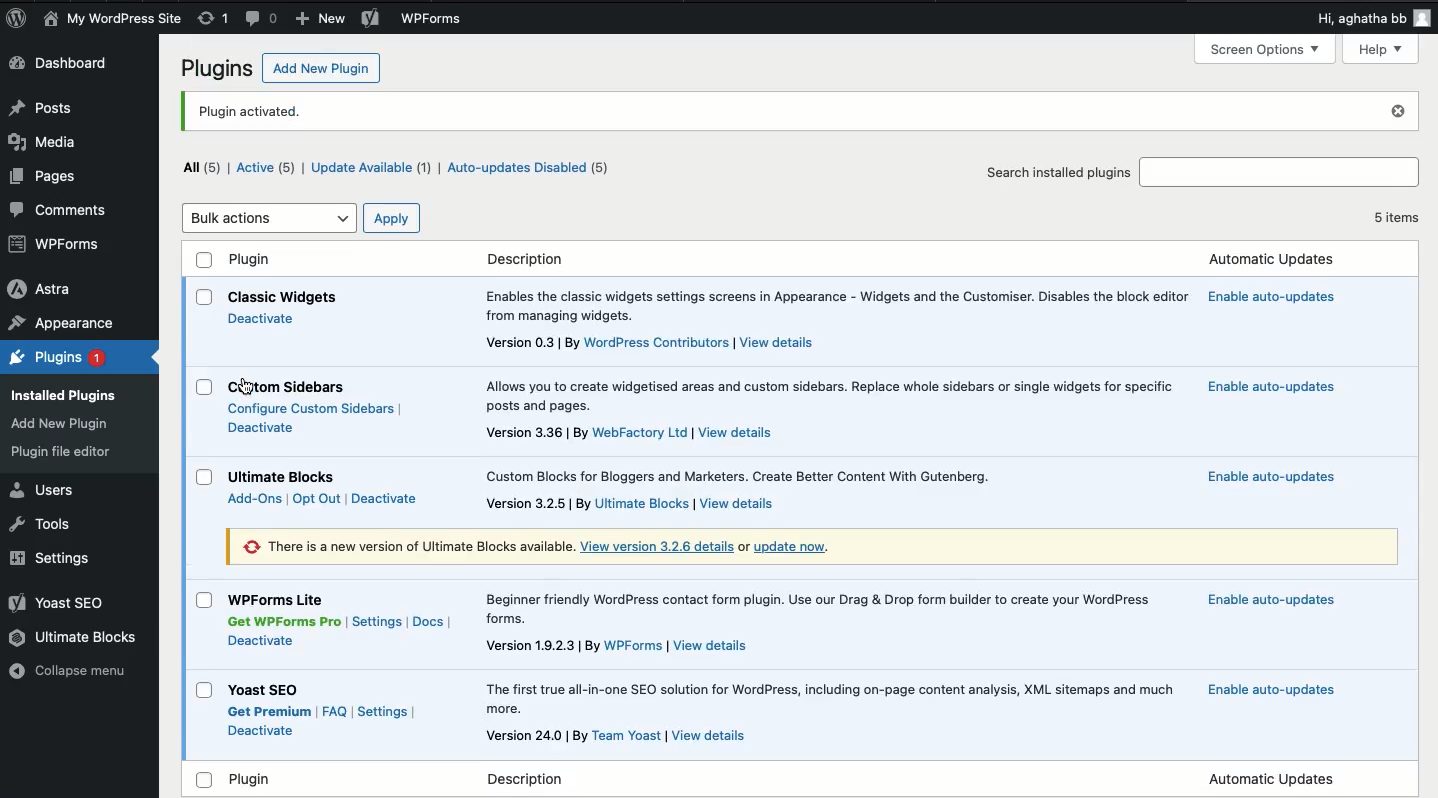 This screenshot has width=1438, height=798. Describe the element at coordinates (1283, 299) in the screenshot. I see `Automatic updates` at that location.